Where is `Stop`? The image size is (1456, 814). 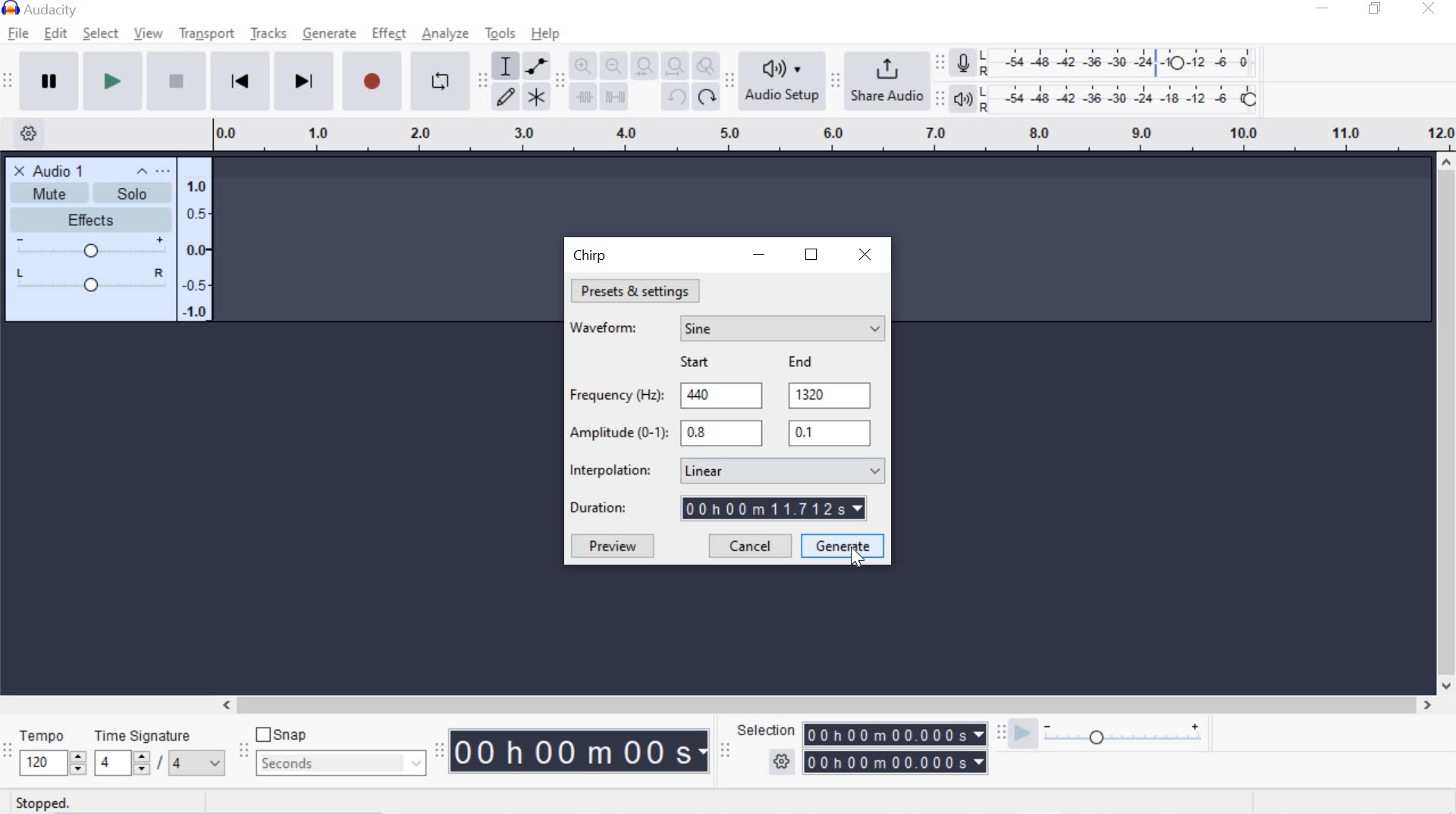
Stop is located at coordinates (177, 80).